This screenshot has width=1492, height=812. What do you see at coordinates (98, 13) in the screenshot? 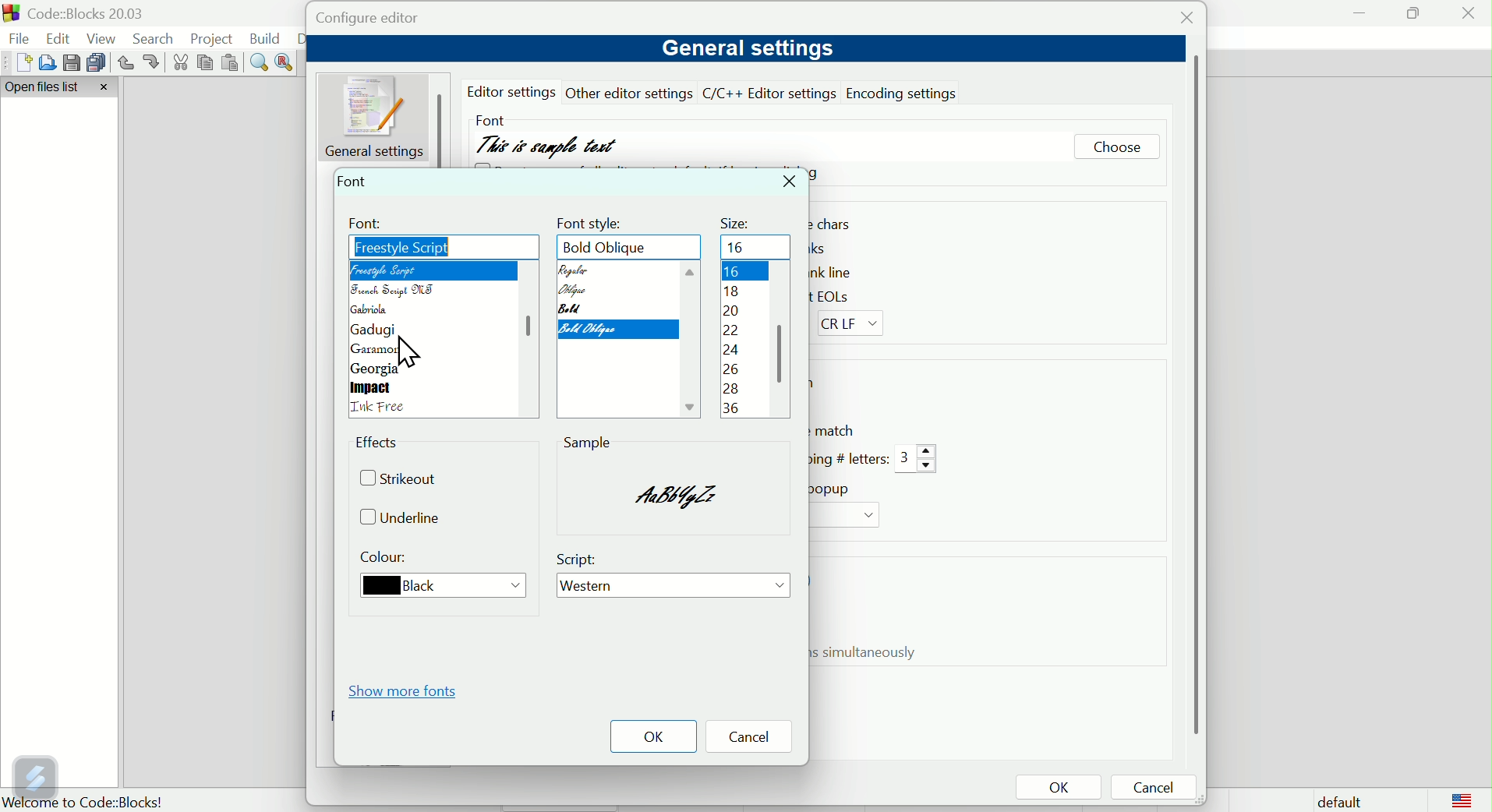
I see `Court blocks 2003` at bounding box center [98, 13].